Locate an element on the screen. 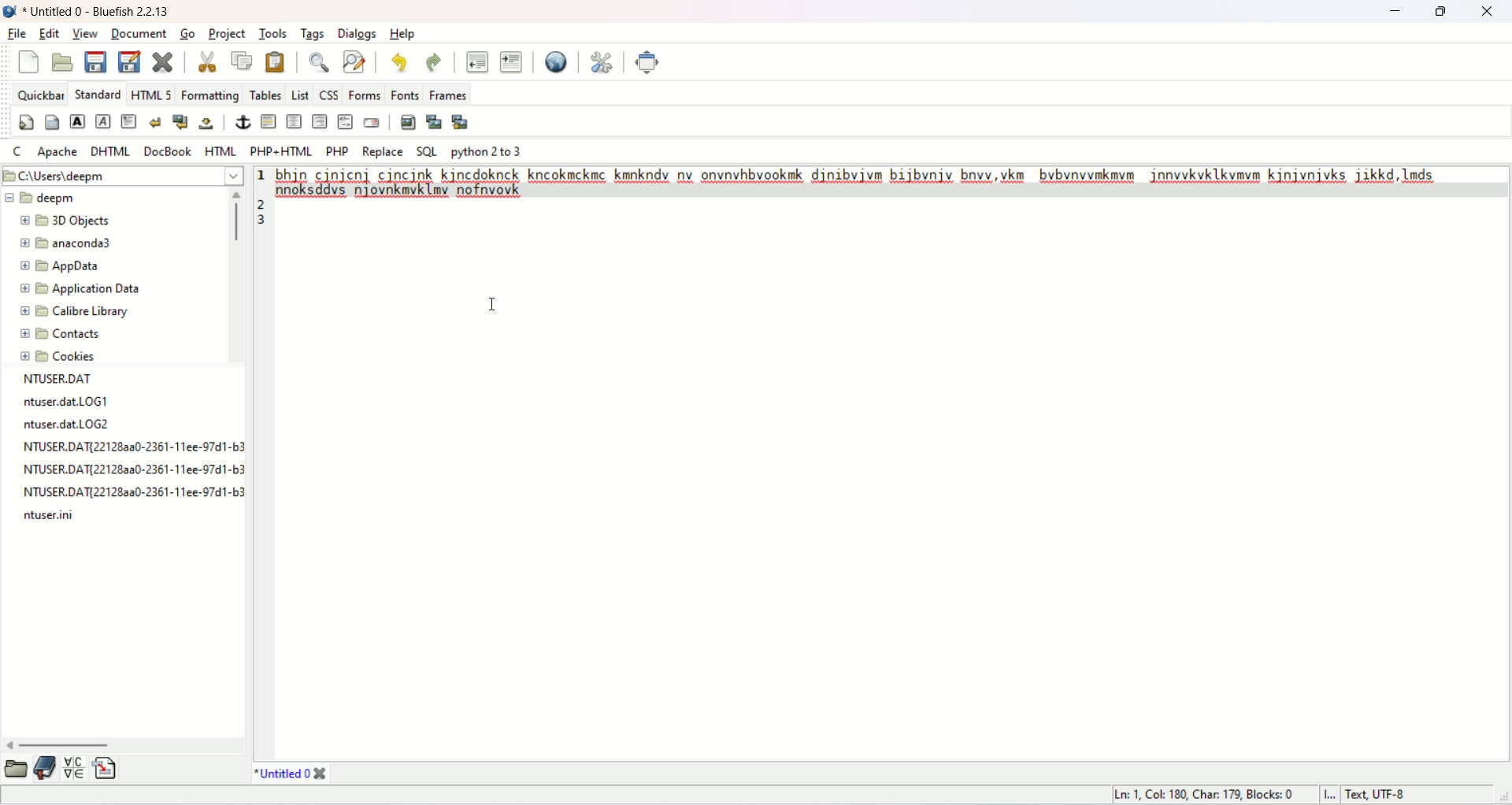  STANDARD is located at coordinates (100, 91).